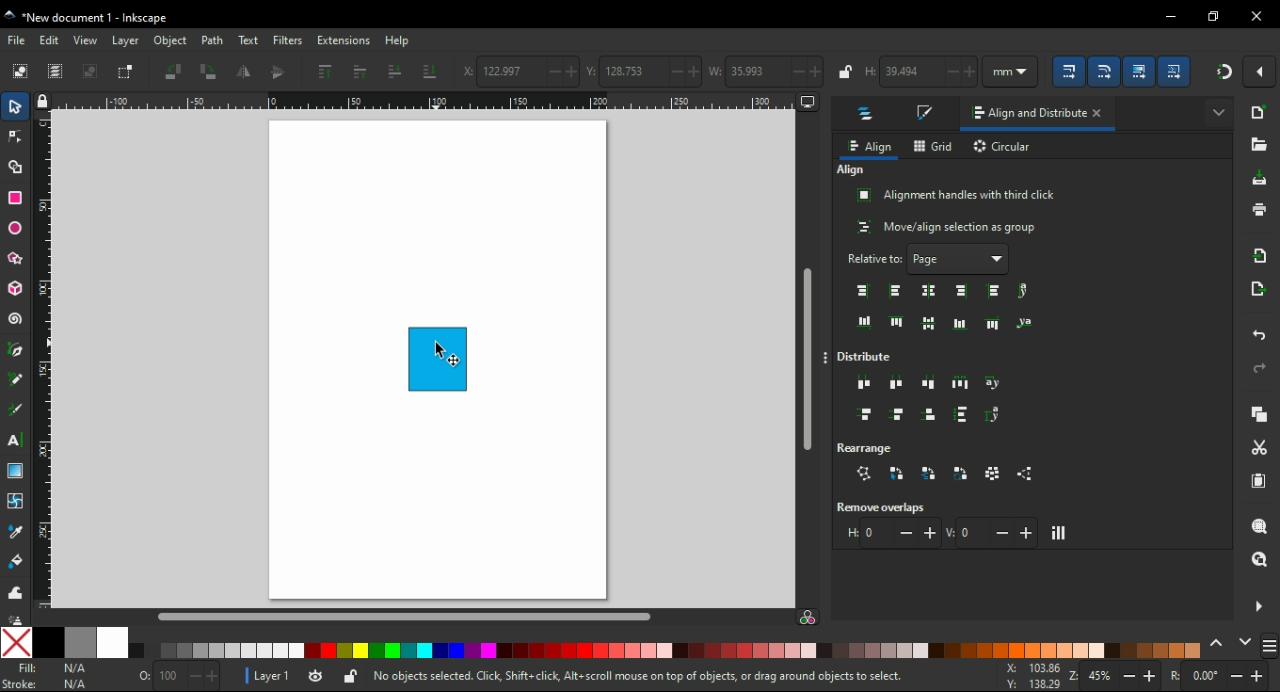  What do you see at coordinates (394, 70) in the screenshot?
I see `lower` at bounding box center [394, 70].